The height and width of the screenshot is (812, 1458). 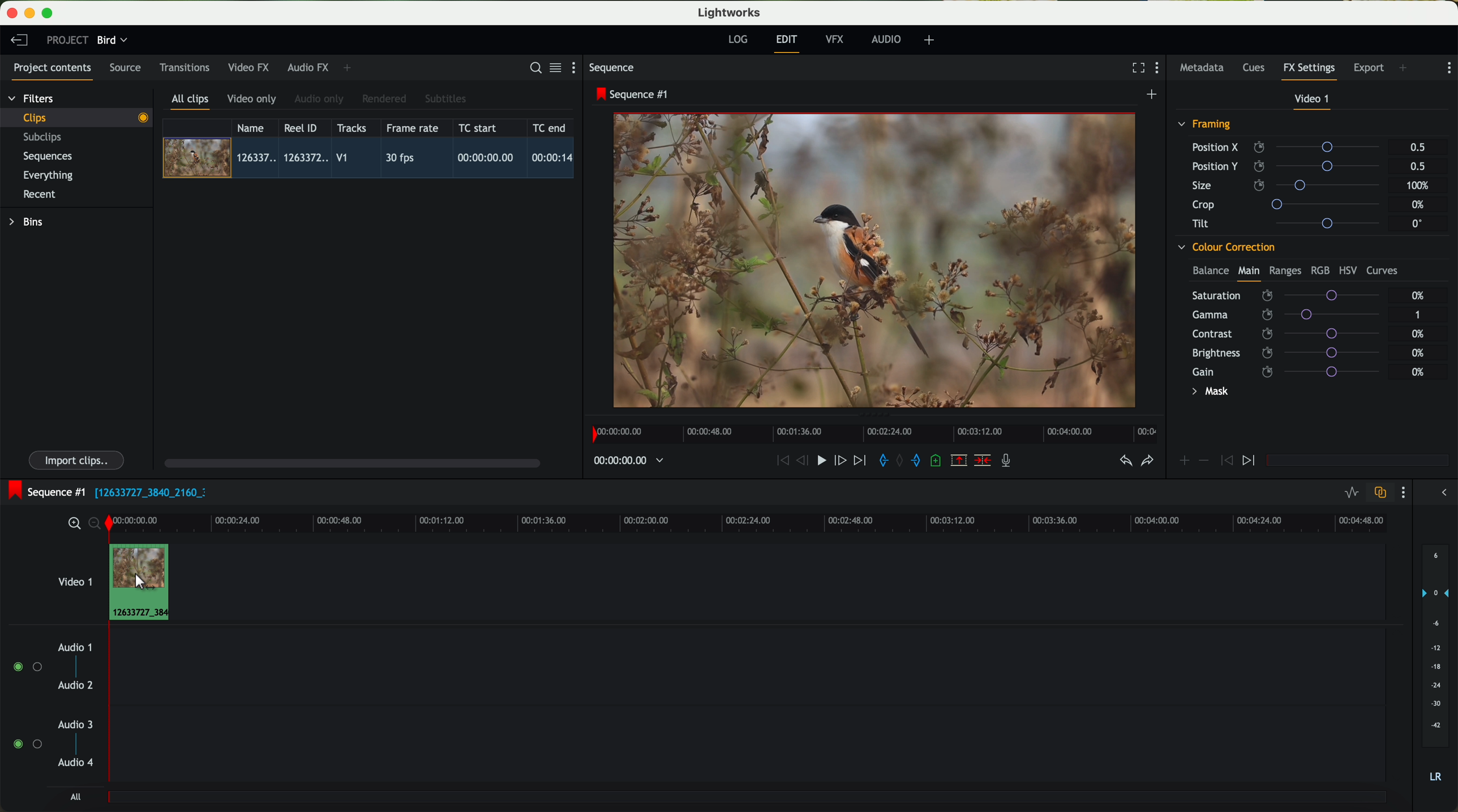 I want to click on audio FX, so click(x=308, y=67).